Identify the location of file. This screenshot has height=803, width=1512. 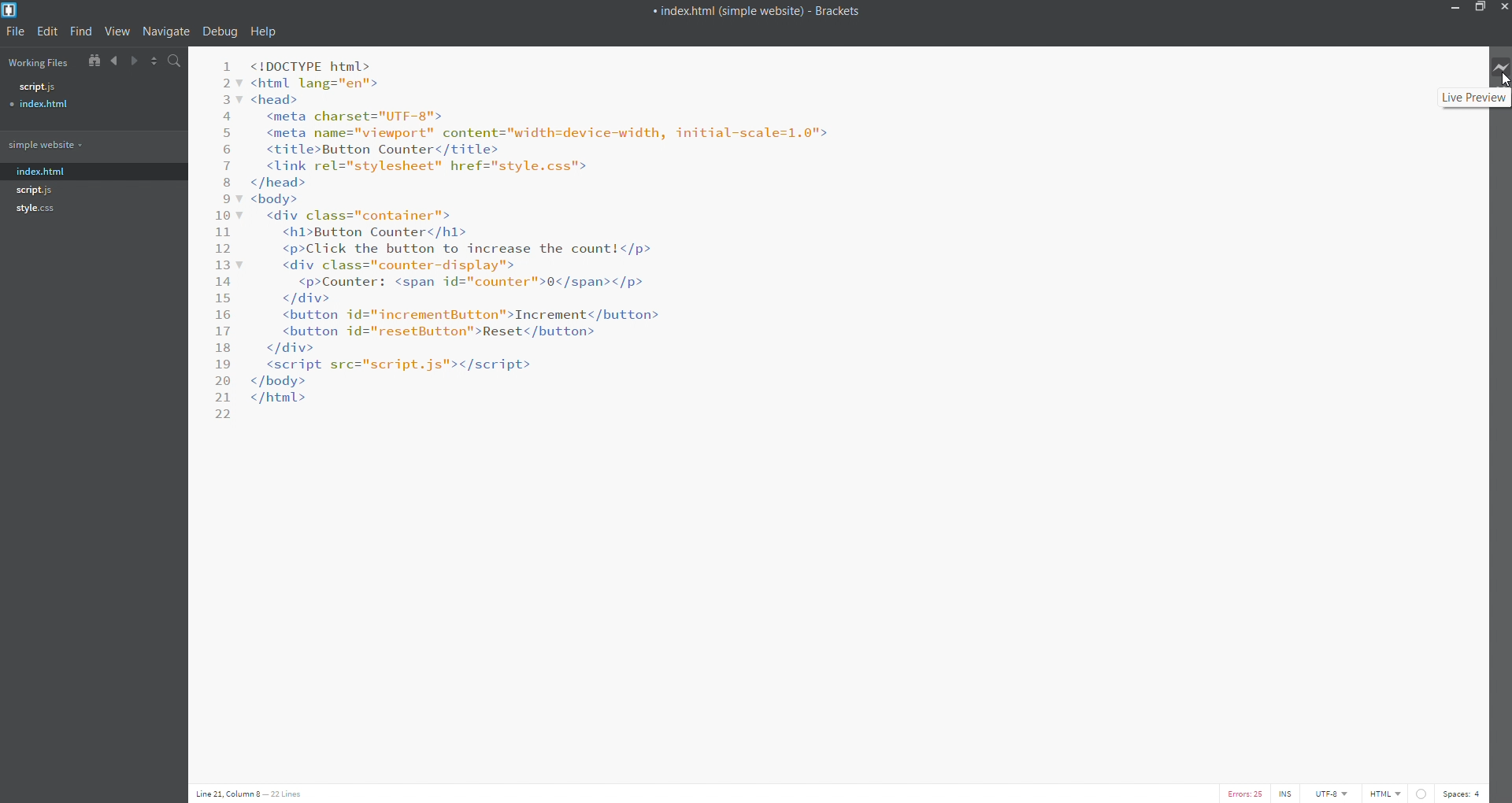
(18, 32).